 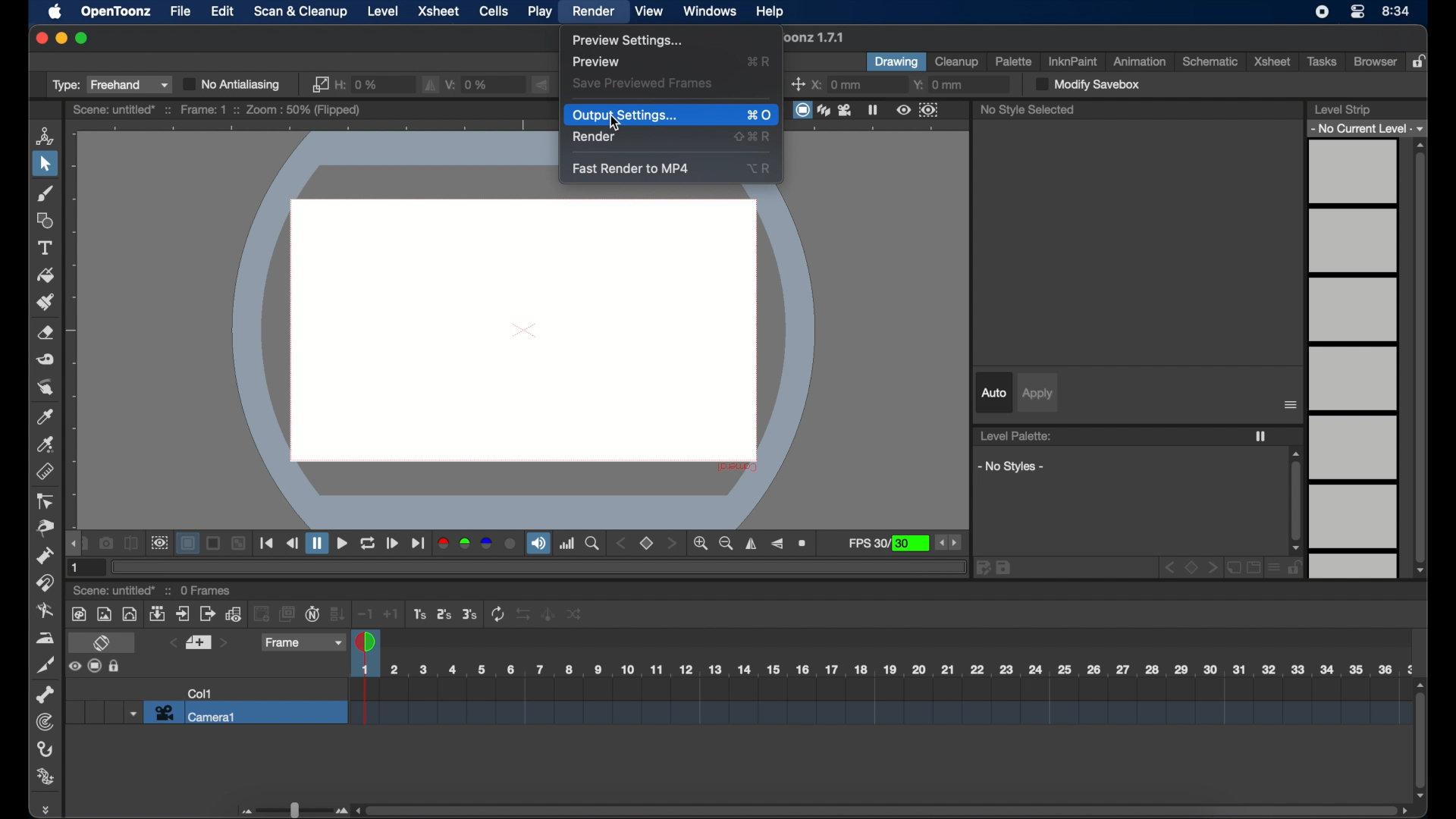 What do you see at coordinates (45, 165) in the screenshot?
I see `selection tool` at bounding box center [45, 165].